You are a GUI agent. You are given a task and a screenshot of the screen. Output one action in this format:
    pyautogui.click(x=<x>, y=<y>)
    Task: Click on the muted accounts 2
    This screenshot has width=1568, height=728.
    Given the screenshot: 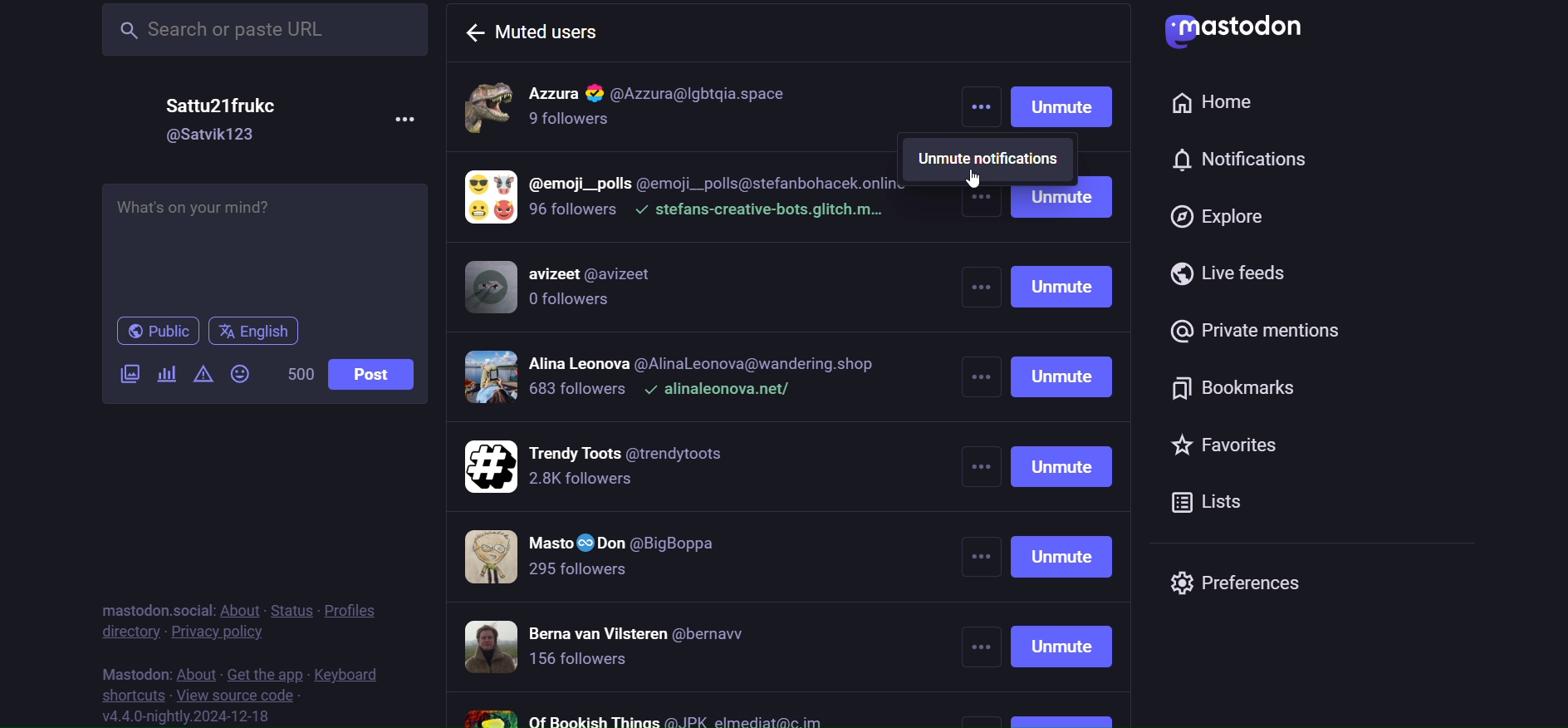 What is the action you would take?
    pyautogui.click(x=690, y=199)
    